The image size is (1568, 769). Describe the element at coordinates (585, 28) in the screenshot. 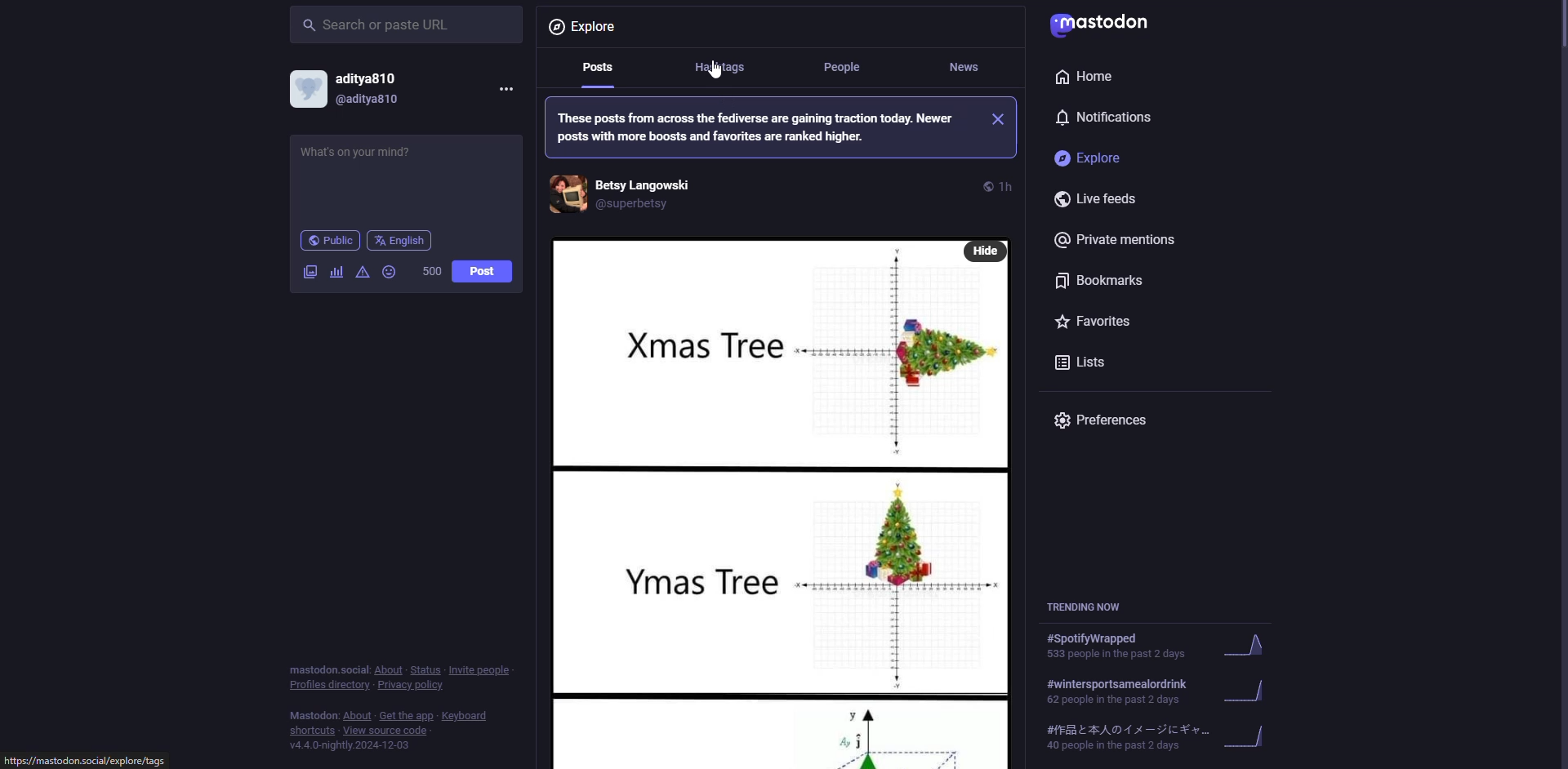

I see `explore` at that location.